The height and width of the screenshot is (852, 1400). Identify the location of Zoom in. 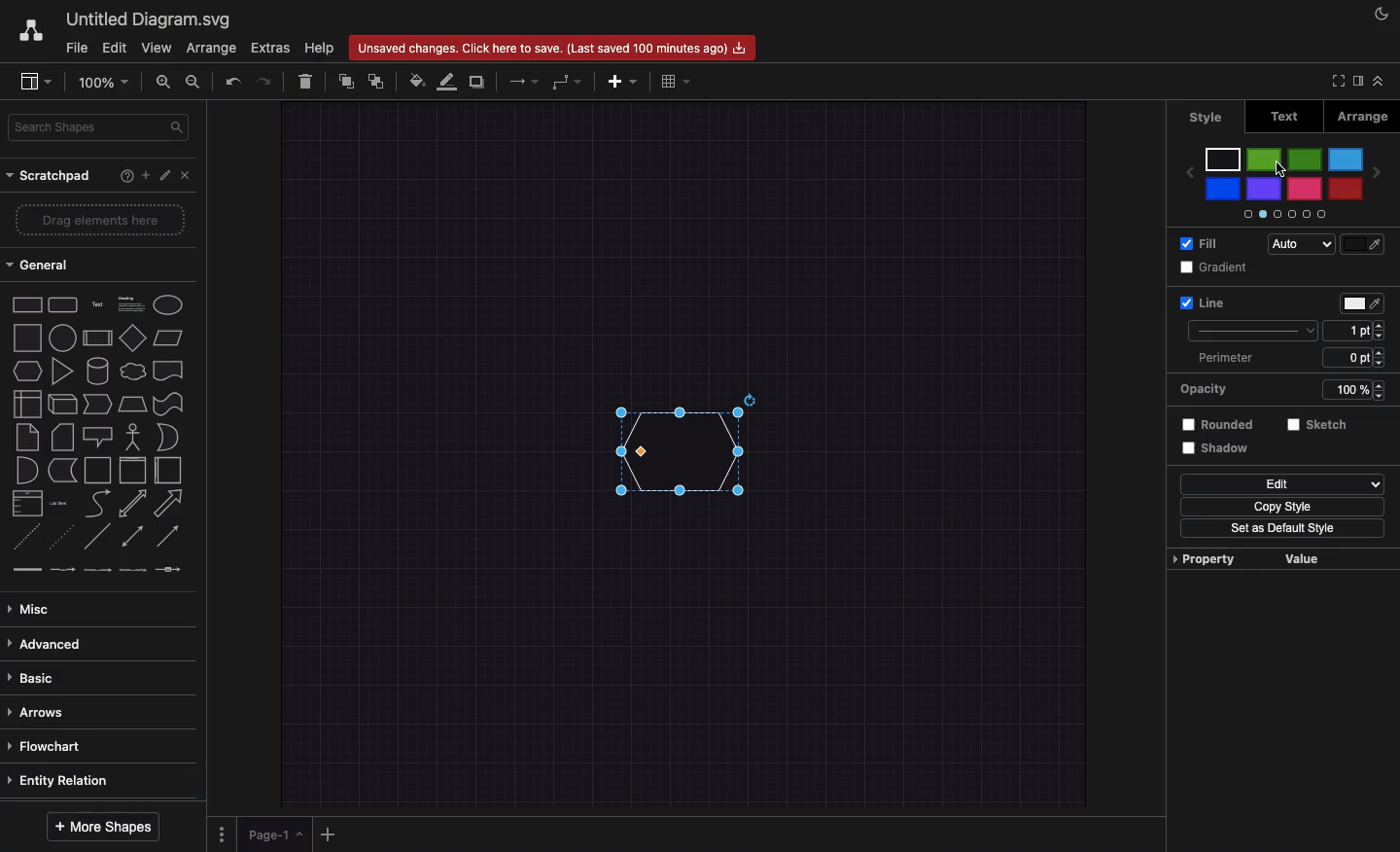
(164, 83).